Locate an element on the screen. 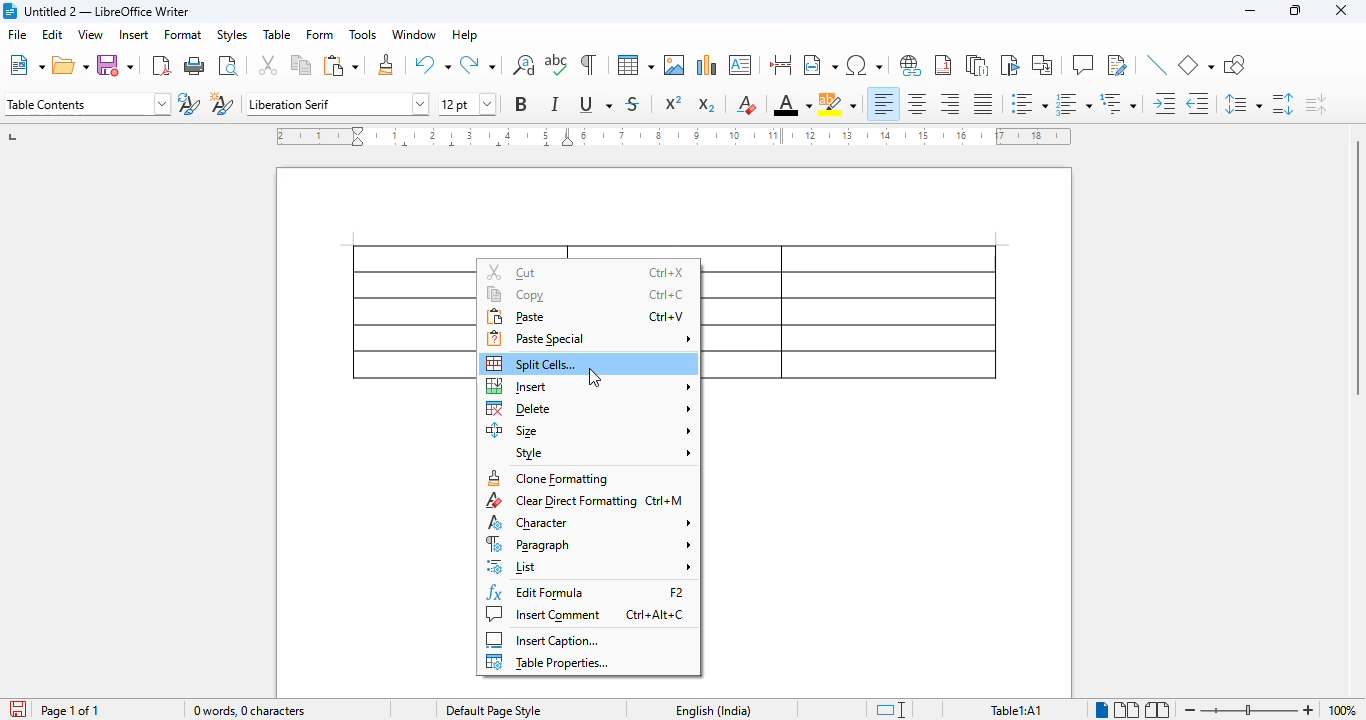 This screenshot has height=720, width=1366. redo is located at coordinates (477, 64).